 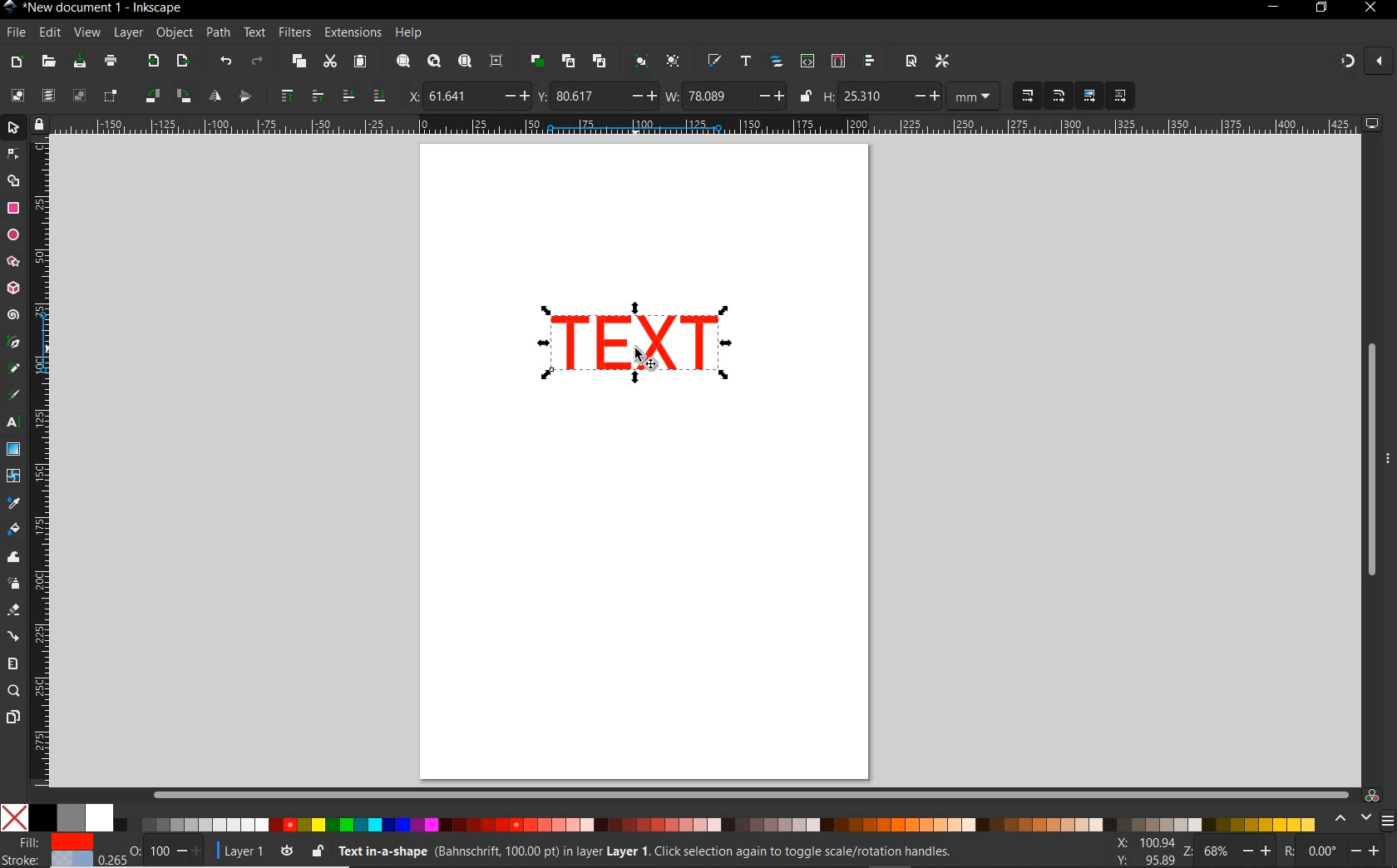 What do you see at coordinates (638, 344) in the screenshot?
I see `text selected` at bounding box center [638, 344].